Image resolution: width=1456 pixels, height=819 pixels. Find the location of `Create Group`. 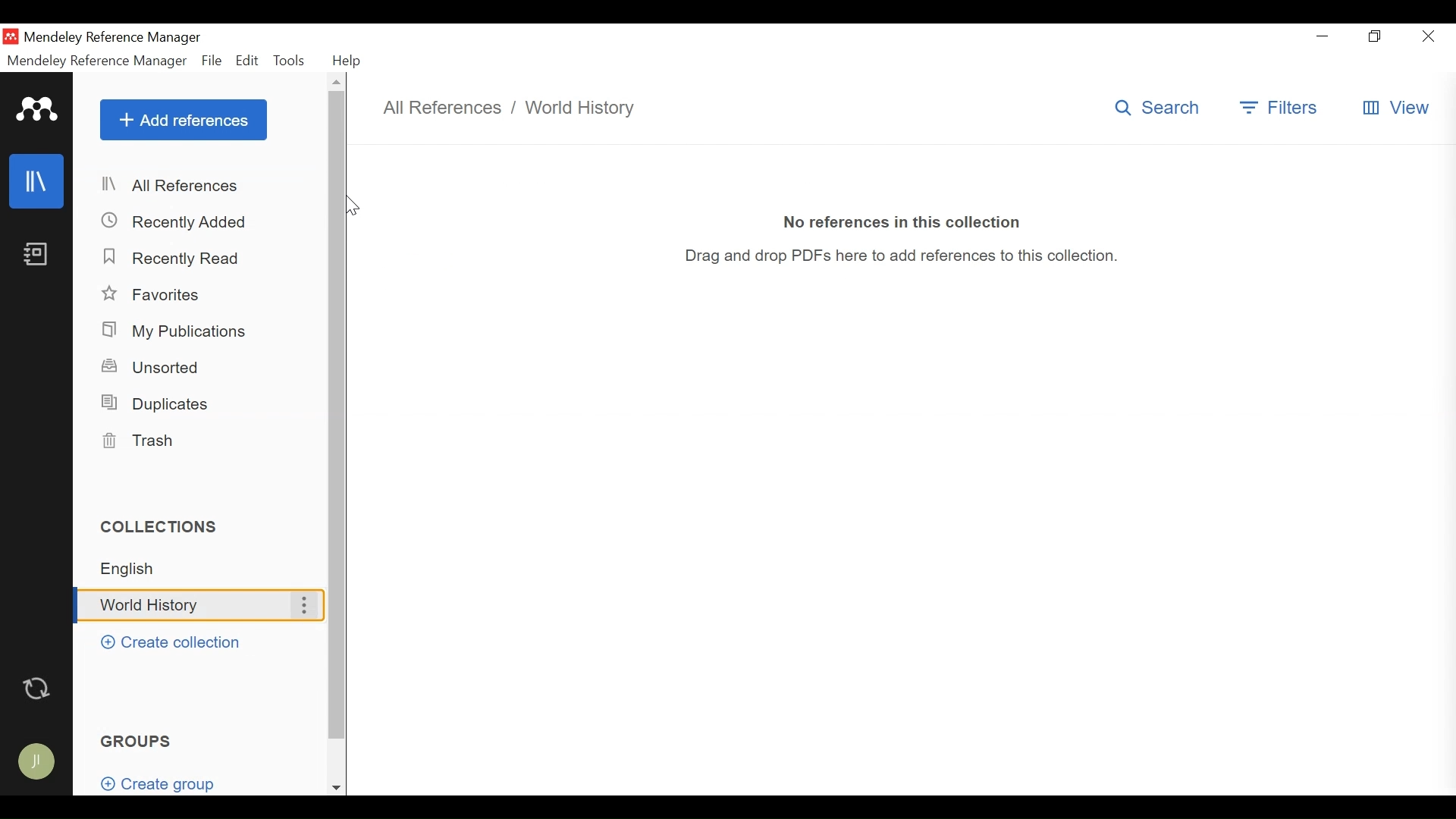

Create Group is located at coordinates (168, 783).